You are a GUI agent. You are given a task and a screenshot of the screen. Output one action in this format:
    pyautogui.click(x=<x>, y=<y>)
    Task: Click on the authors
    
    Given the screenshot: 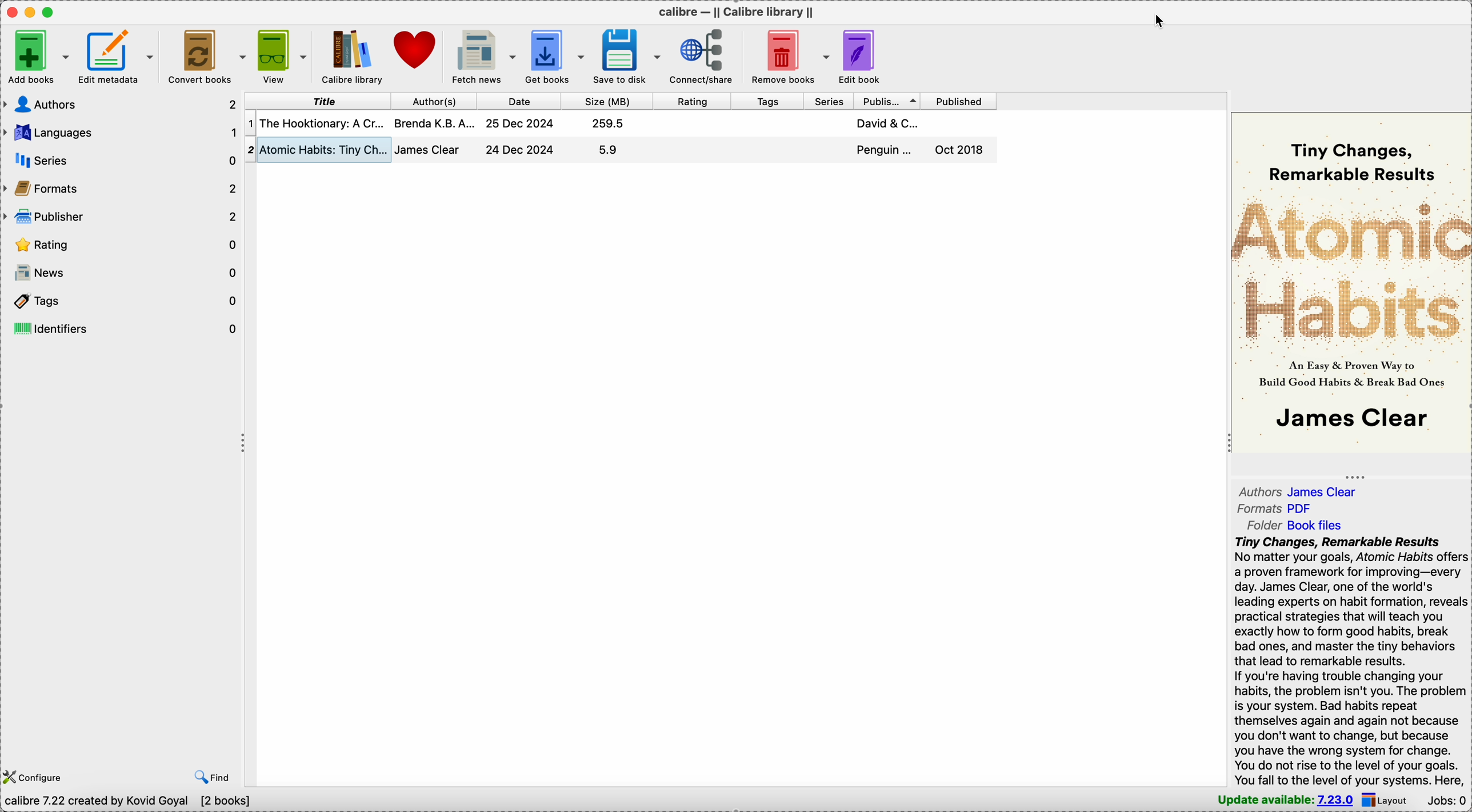 What is the action you would take?
    pyautogui.click(x=119, y=104)
    